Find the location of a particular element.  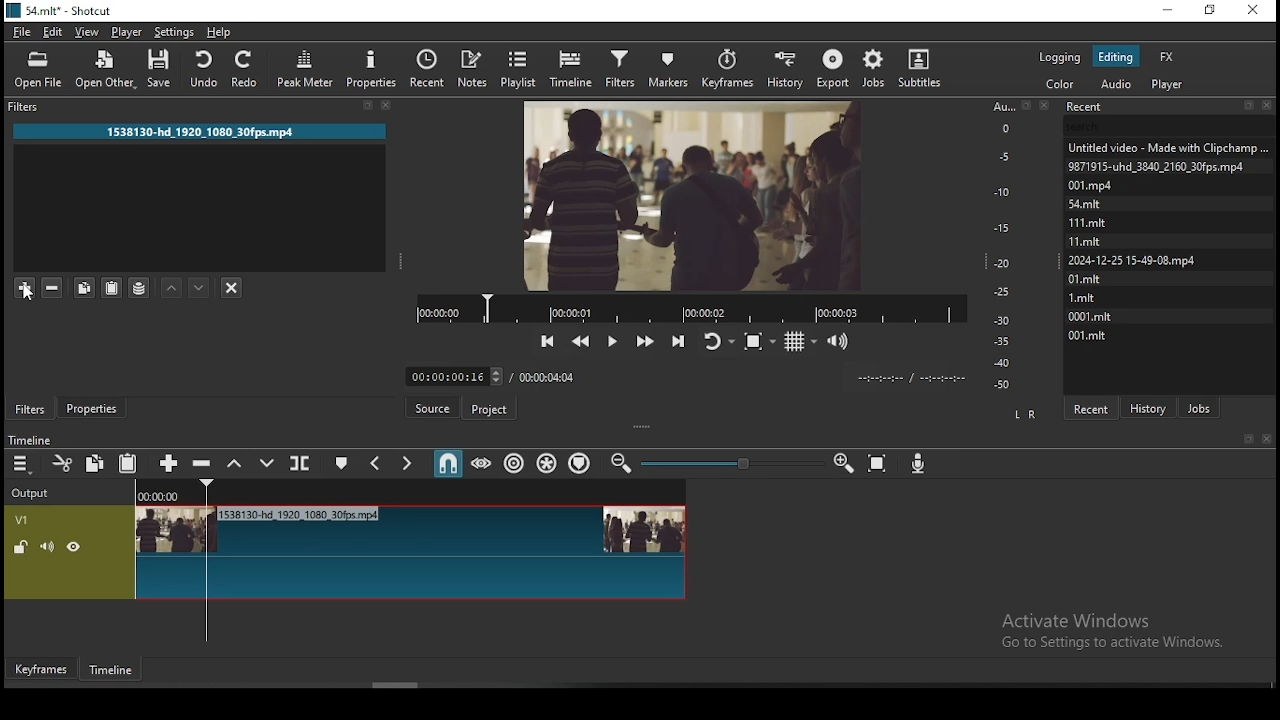

previous marker is located at coordinates (376, 463).